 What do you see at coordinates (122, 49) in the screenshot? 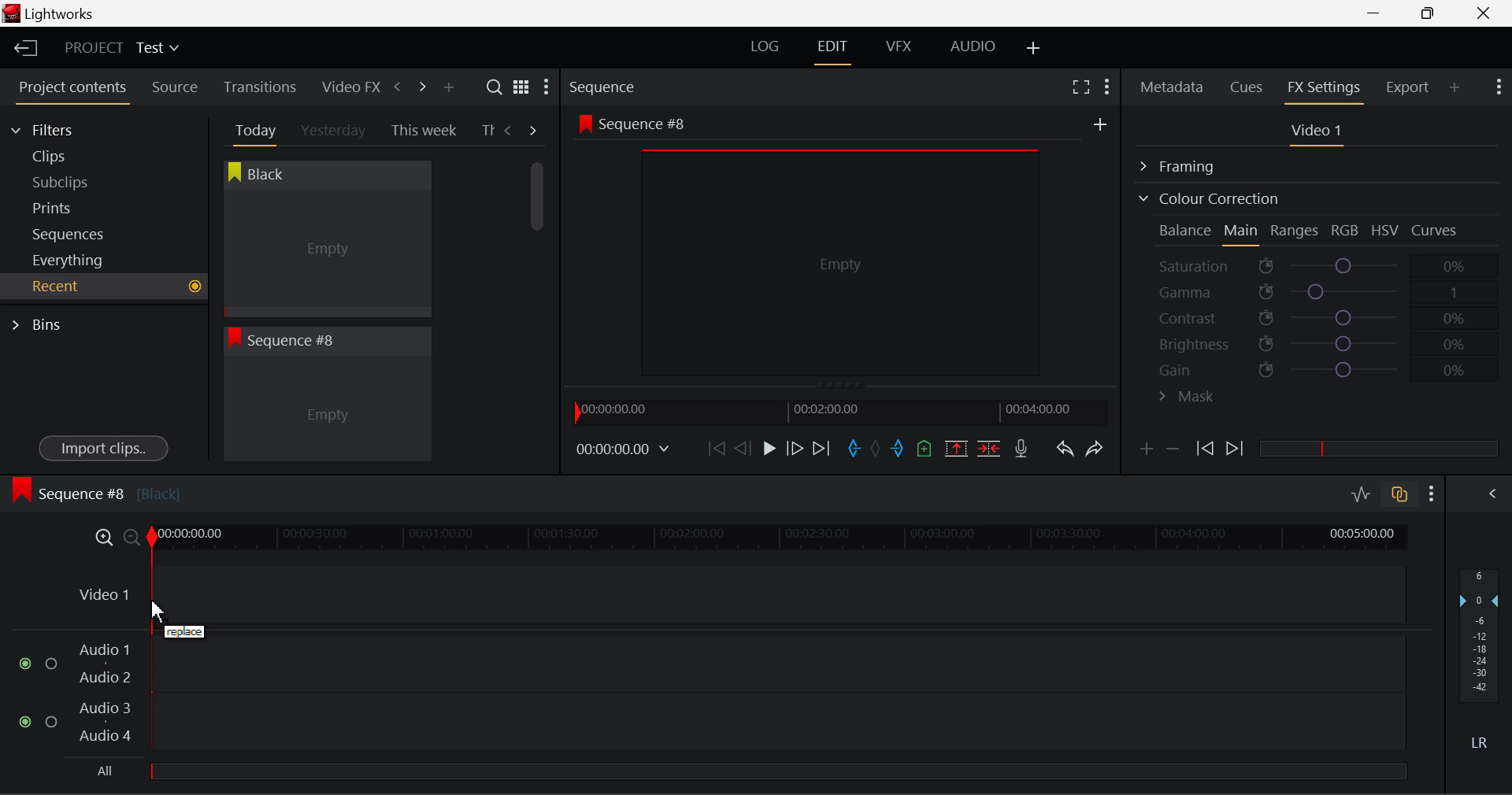
I see `Project Title` at bounding box center [122, 49].